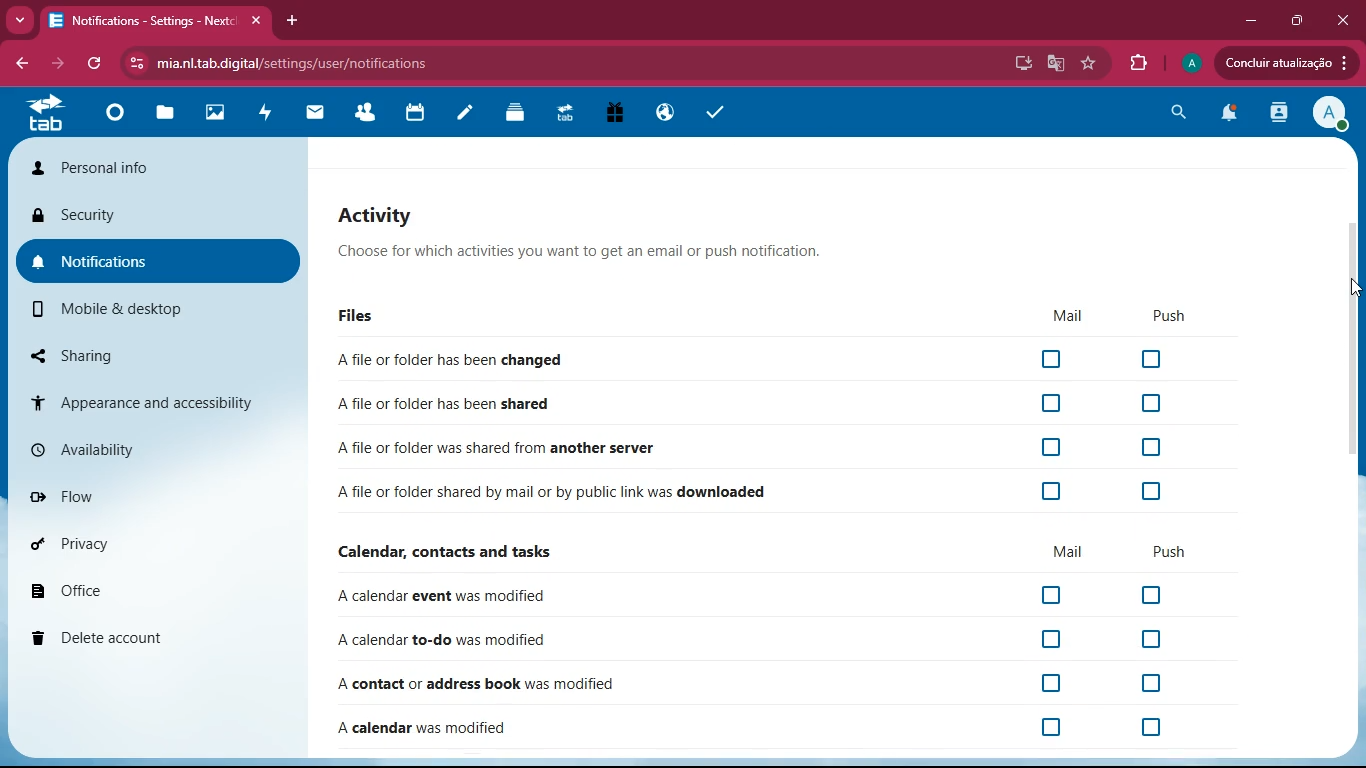  What do you see at coordinates (442, 642) in the screenshot?
I see `A calendar to-do was modified` at bounding box center [442, 642].